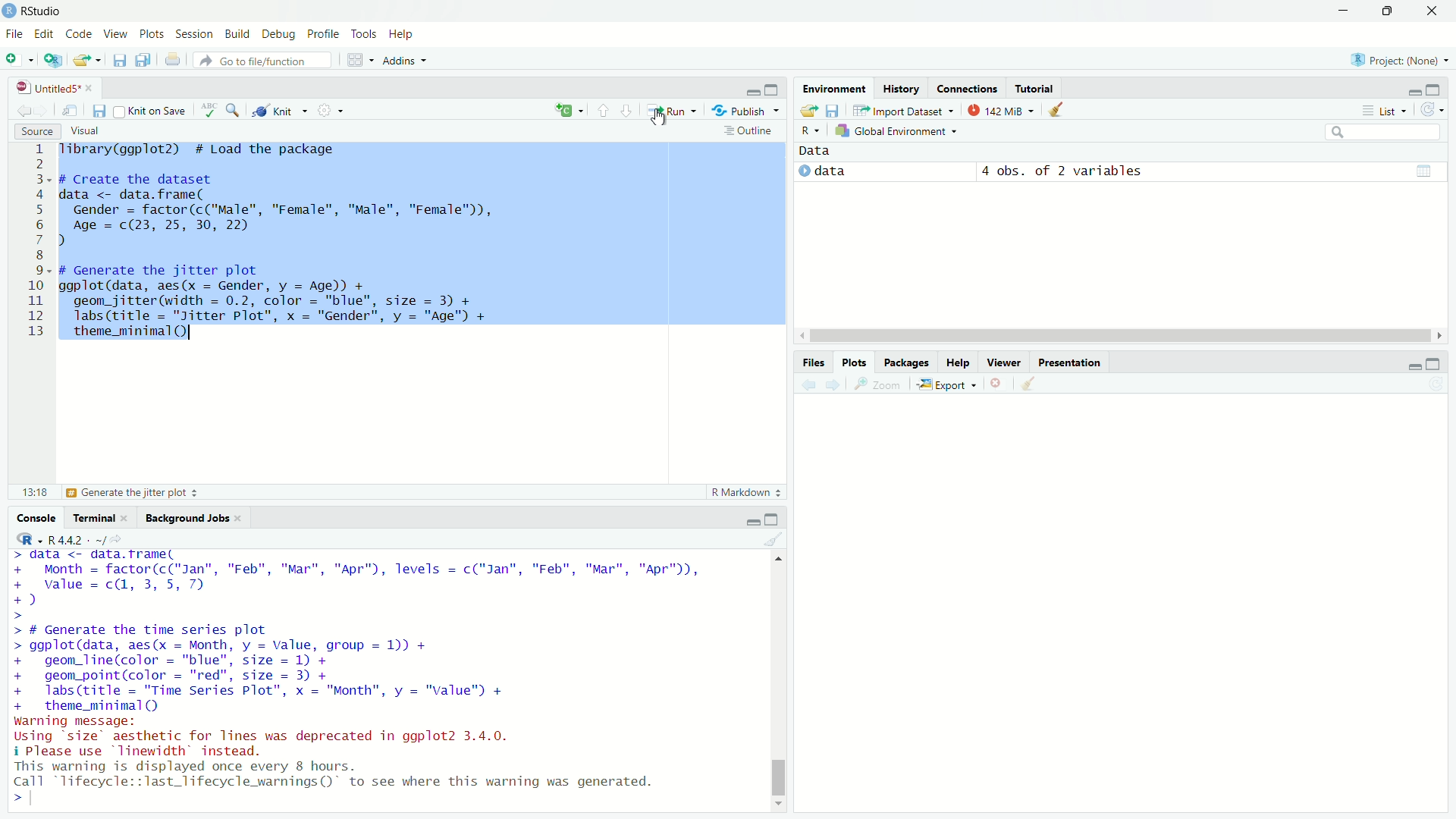  I want to click on RStudio, so click(48, 11).